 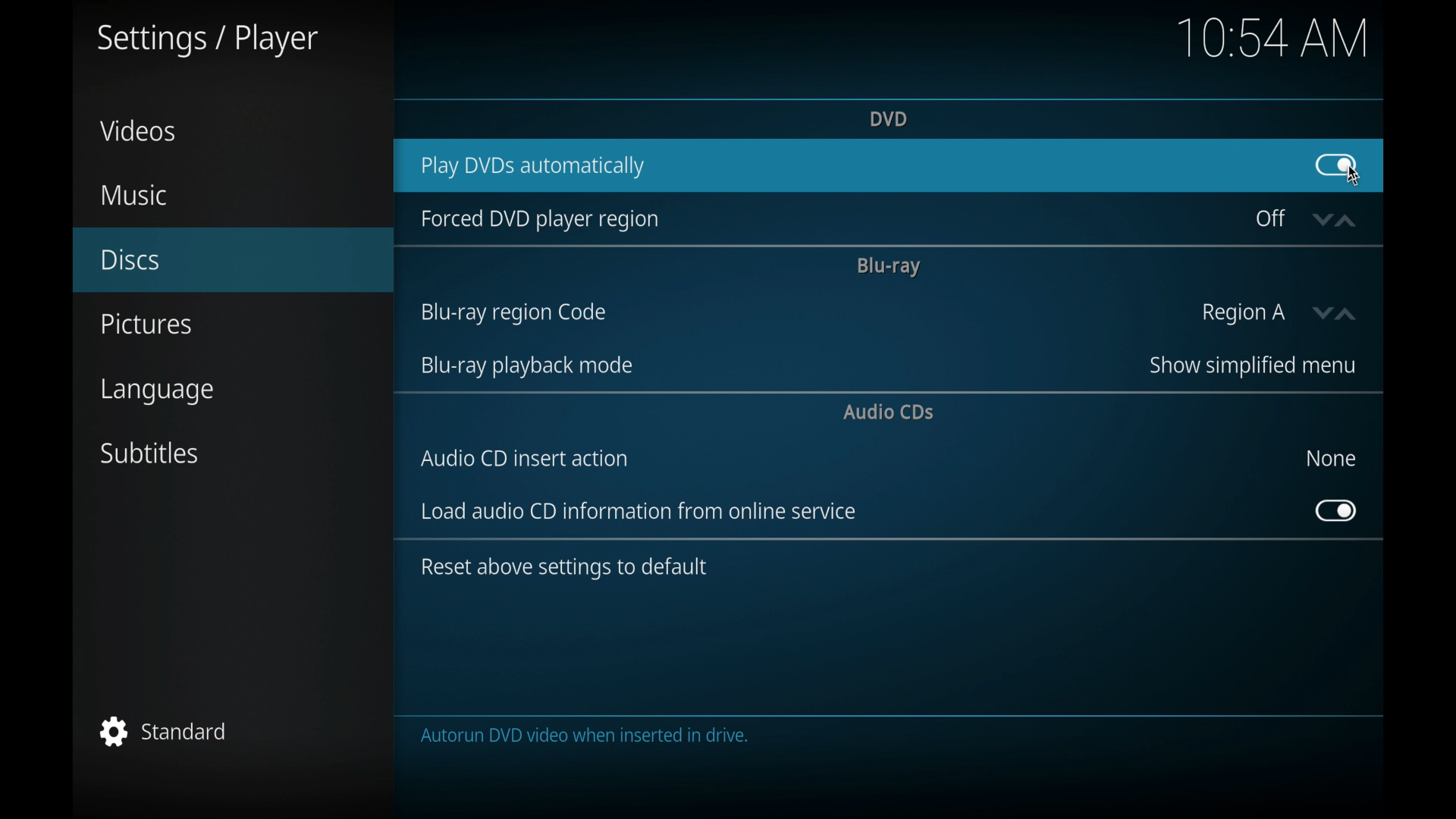 I want to click on audio cds, so click(x=890, y=412).